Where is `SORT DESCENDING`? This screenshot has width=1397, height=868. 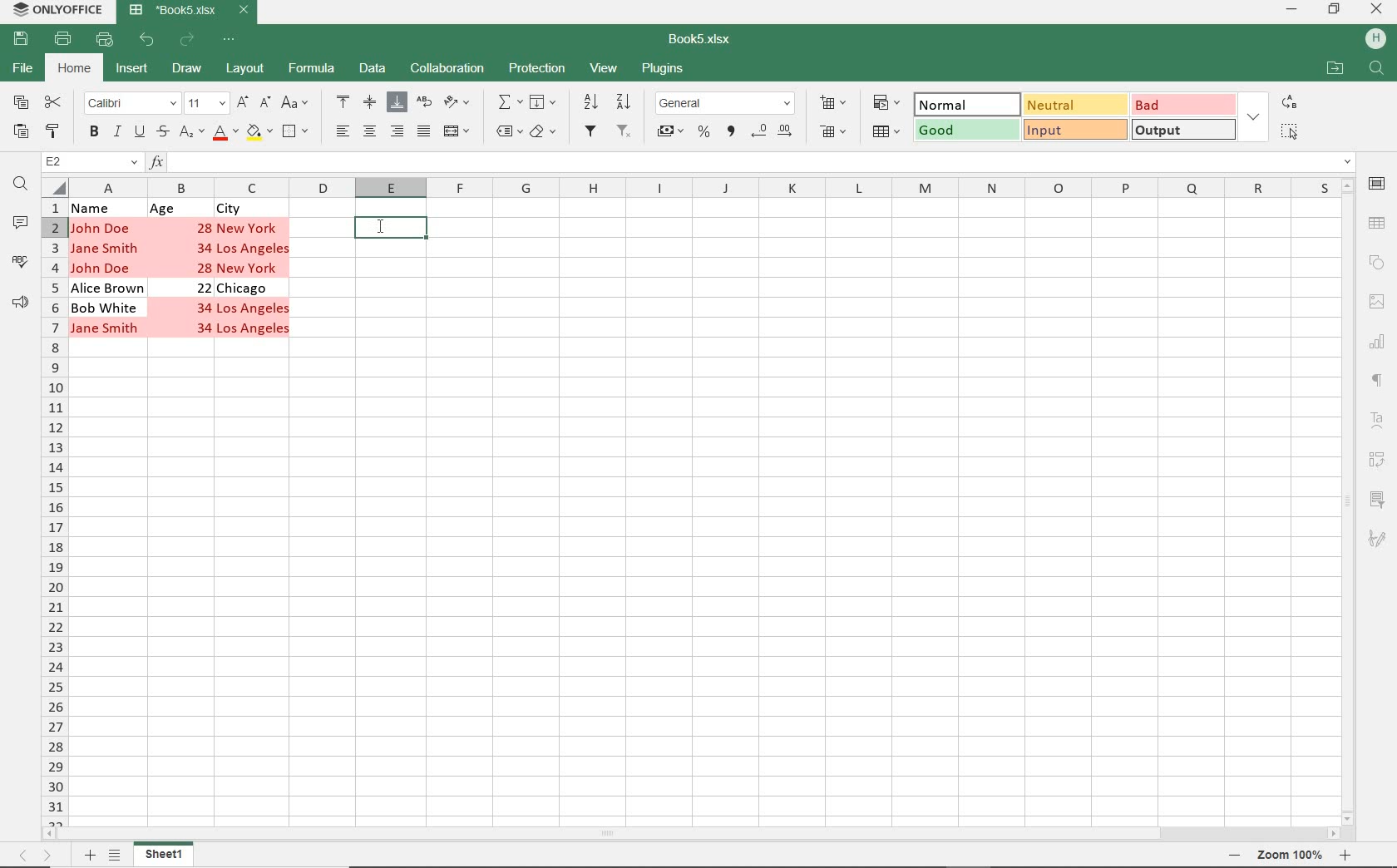 SORT DESCENDING is located at coordinates (626, 101).